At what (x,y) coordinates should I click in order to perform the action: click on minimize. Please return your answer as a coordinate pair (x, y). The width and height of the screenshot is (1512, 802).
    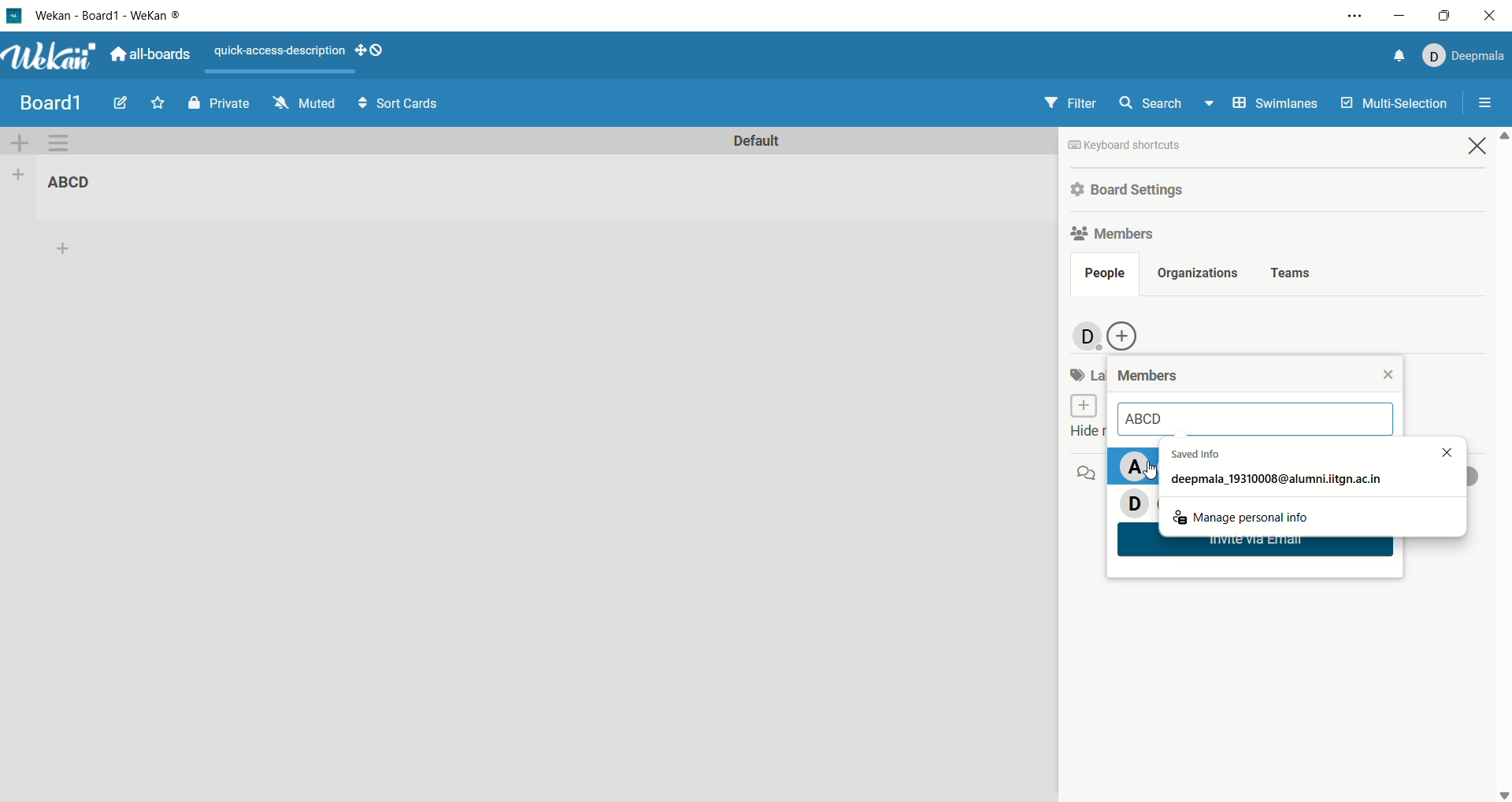
    Looking at the image, I should click on (1398, 14).